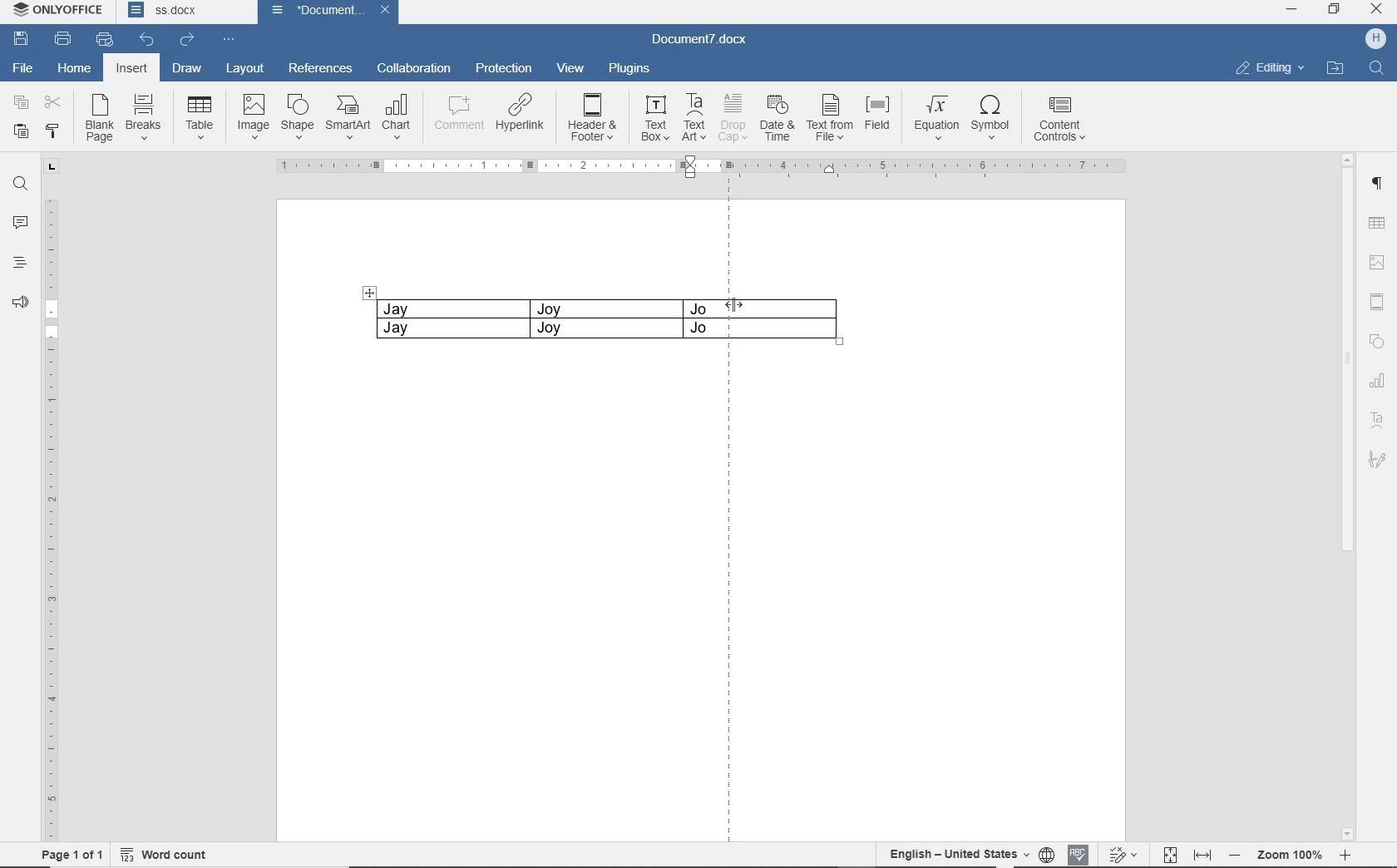 The height and width of the screenshot is (868, 1397). Describe the element at coordinates (1080, 852) in the screenshot. I see `SPELL CHECKING` at that location.